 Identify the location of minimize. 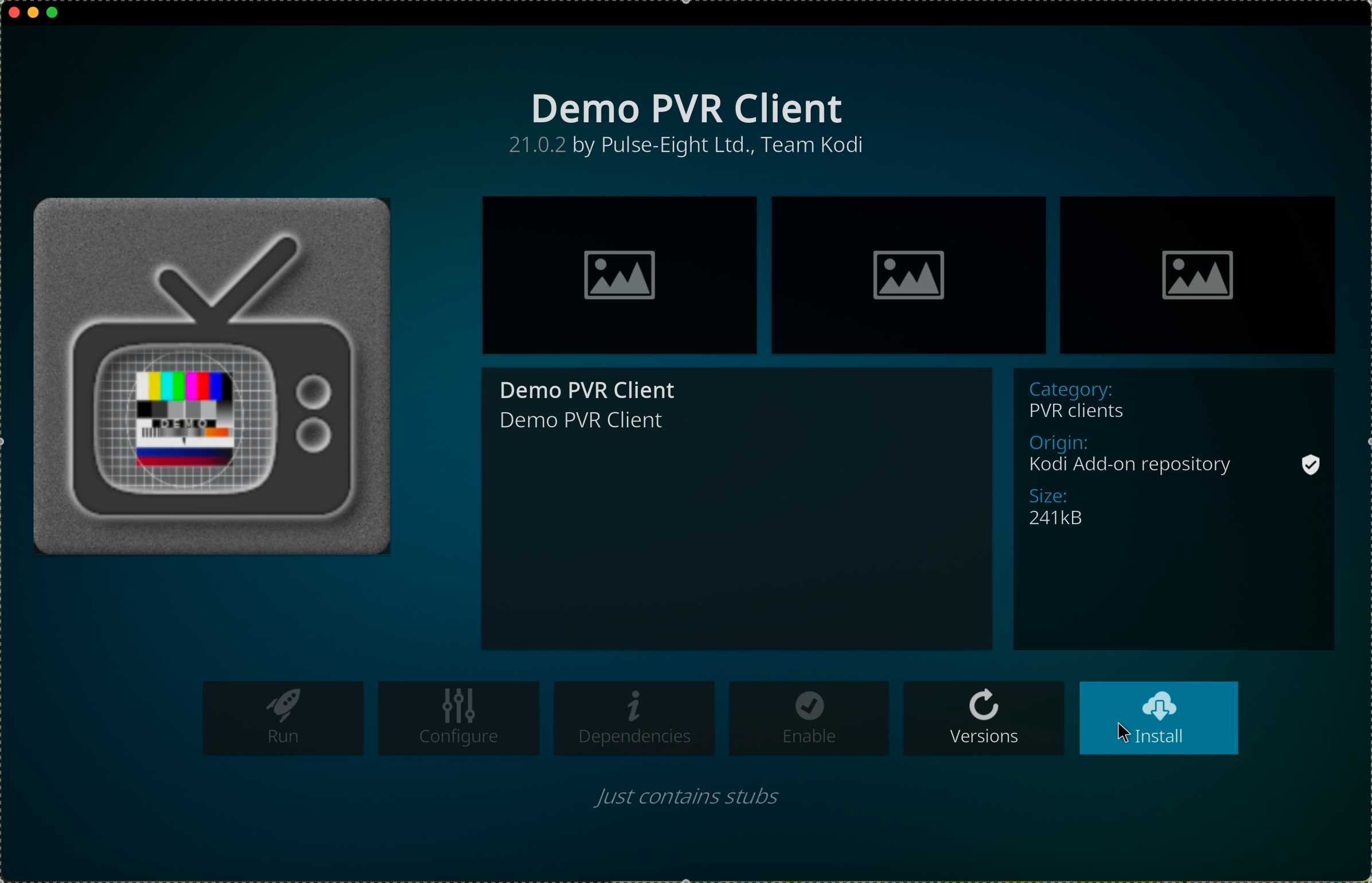
(33, 17).